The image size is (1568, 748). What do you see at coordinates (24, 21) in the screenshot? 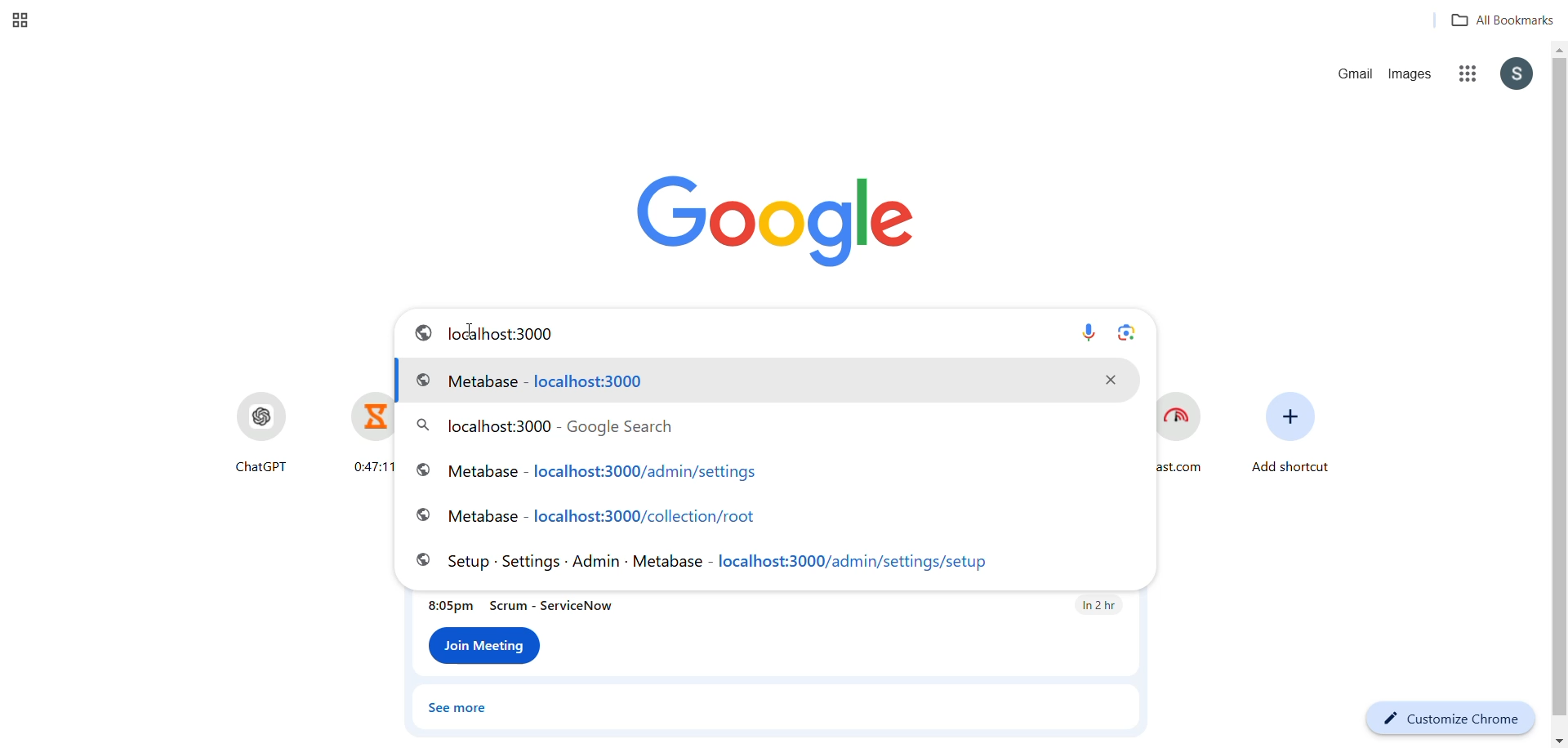
I see `New tab group` at bounding box center [24, 21].